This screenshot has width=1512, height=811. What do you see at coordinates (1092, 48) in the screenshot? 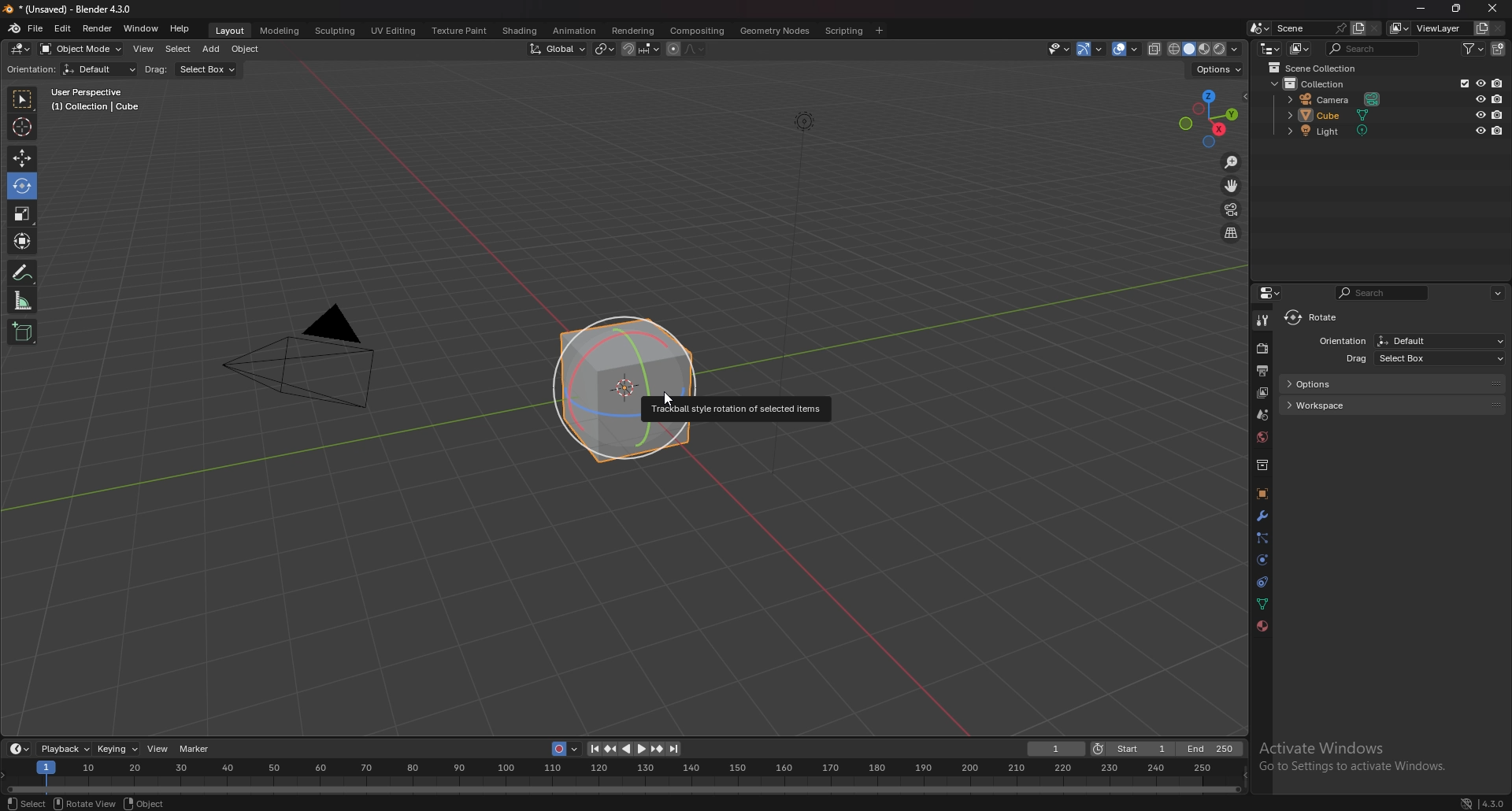
I see `gizmo` at bounding box center [1092, 48].